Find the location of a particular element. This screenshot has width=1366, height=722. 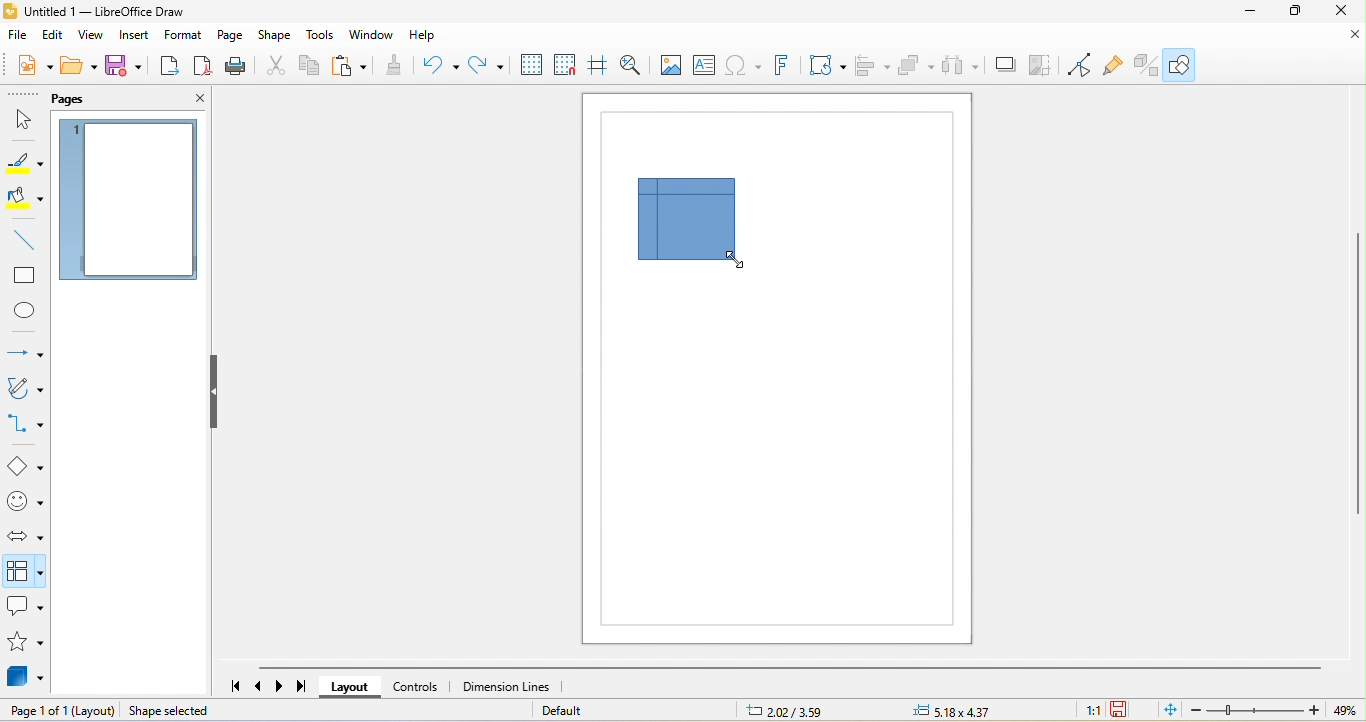

show gluepoint function is located at coordinates (1116, 65).